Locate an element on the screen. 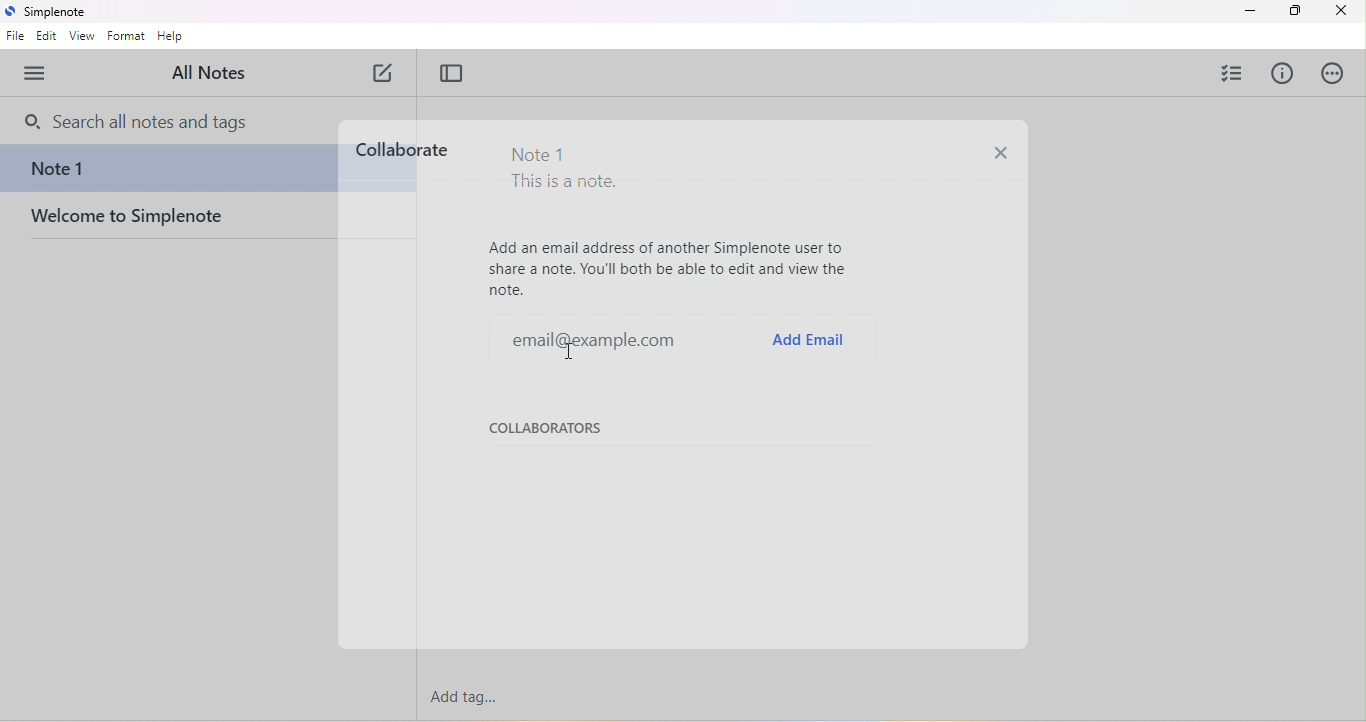 Image resolution: width=1366 pixels, height=722 pixels. maximize is located at coordinates (1293, 11).